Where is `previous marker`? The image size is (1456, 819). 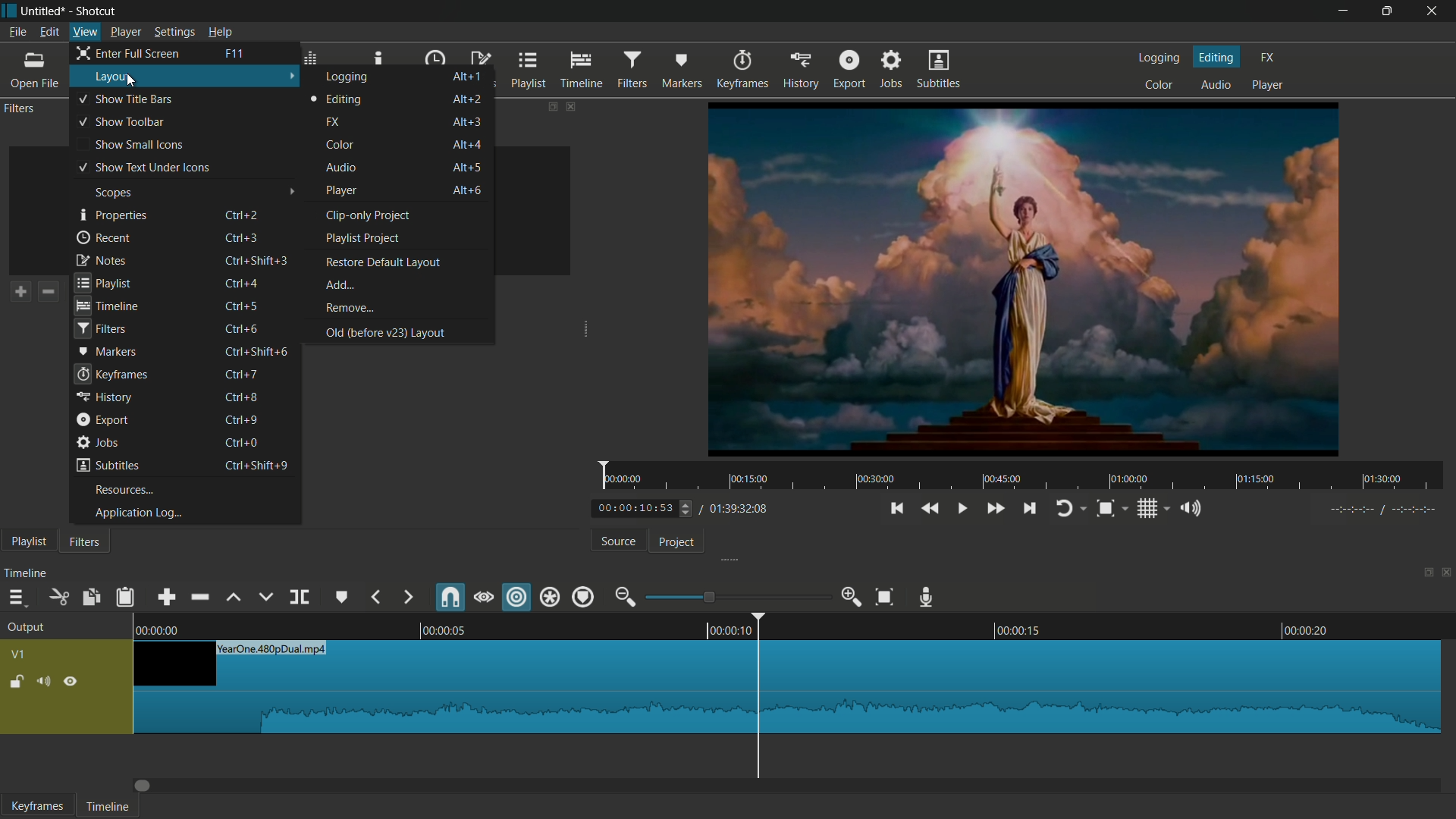
previous marker is located at coordinates (377, 598).